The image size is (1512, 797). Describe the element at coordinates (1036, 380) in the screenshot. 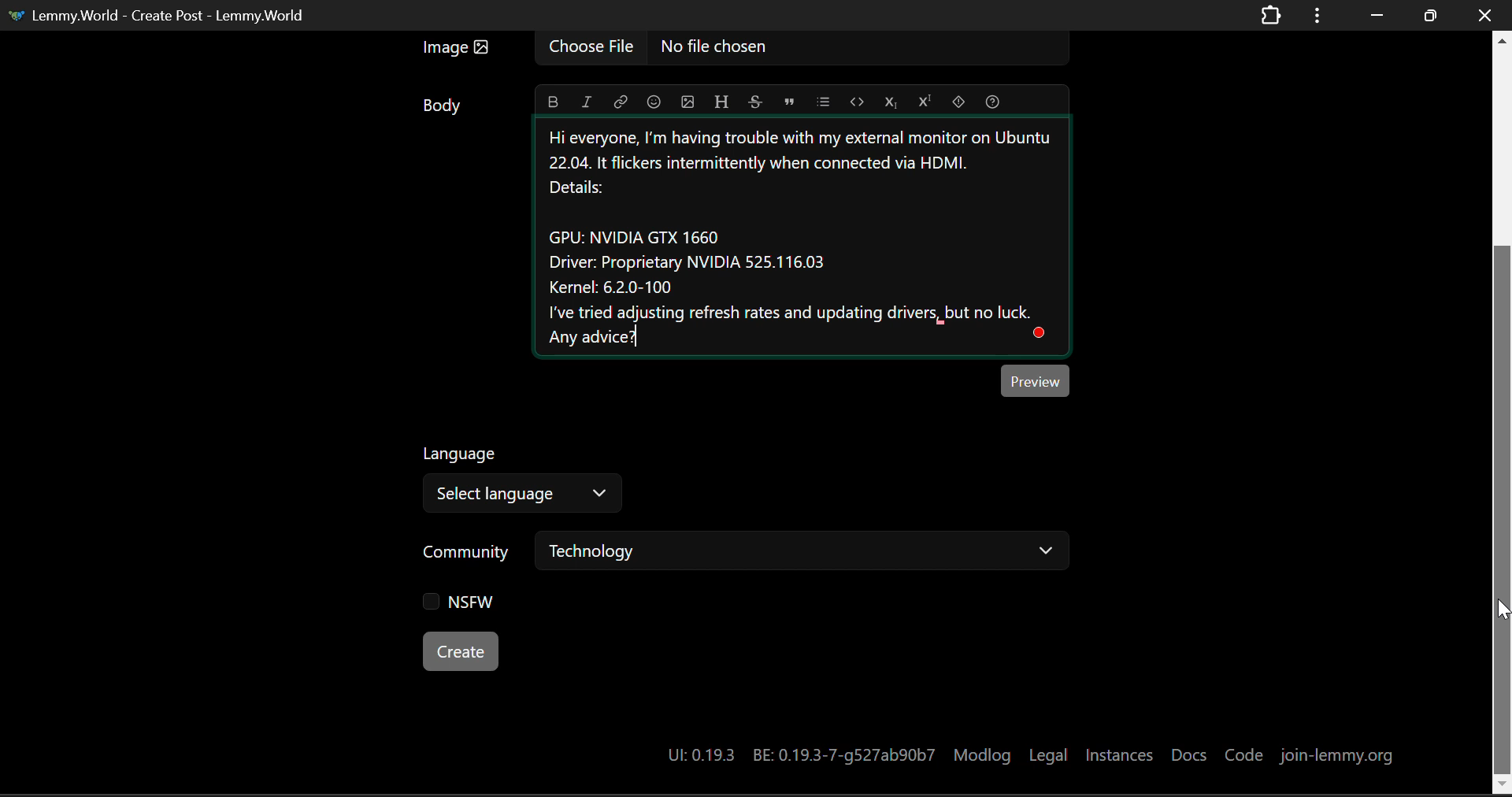

I see `Post Preview Button` at that location.